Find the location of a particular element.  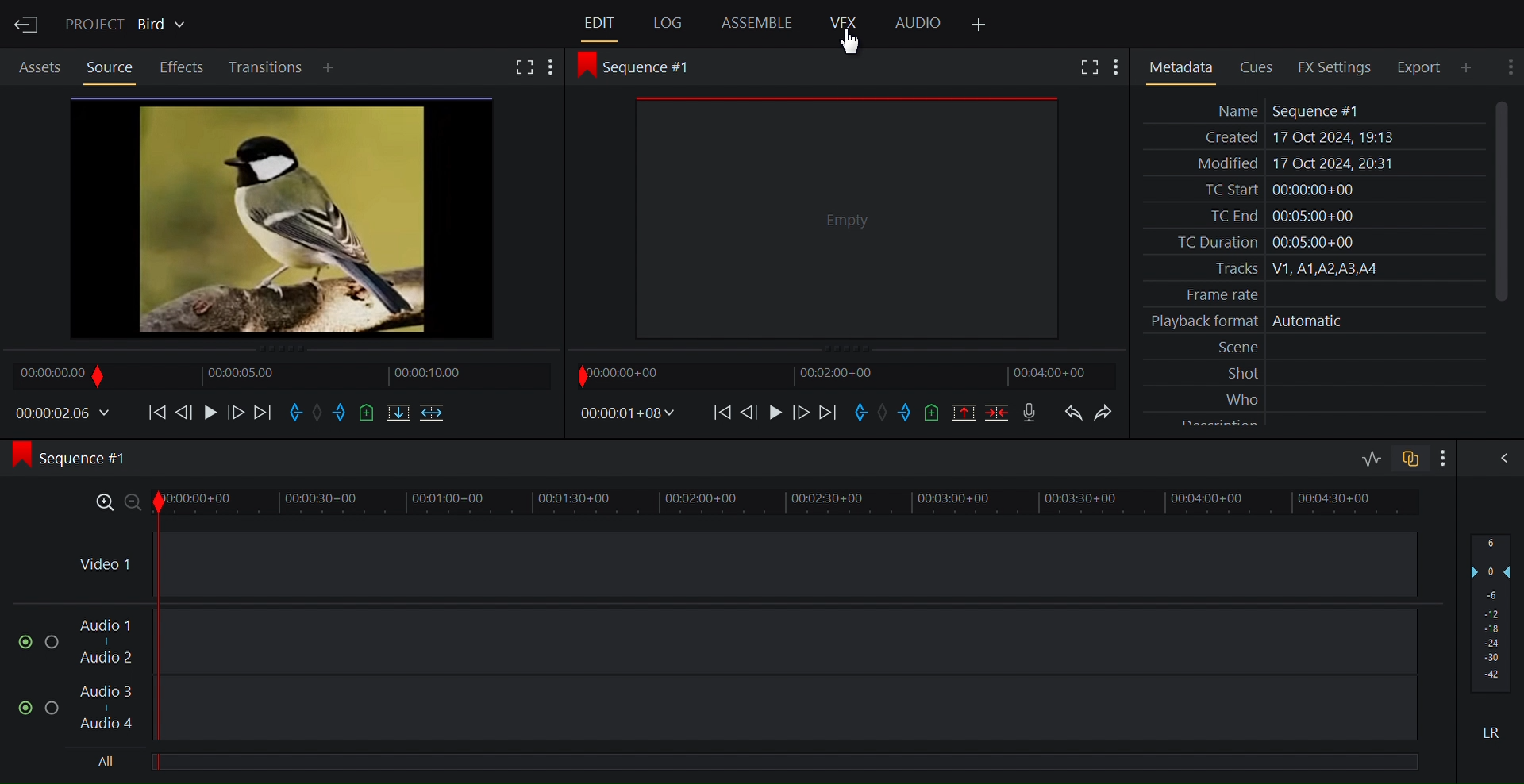

Mark in is located at coordinates (294, 413).